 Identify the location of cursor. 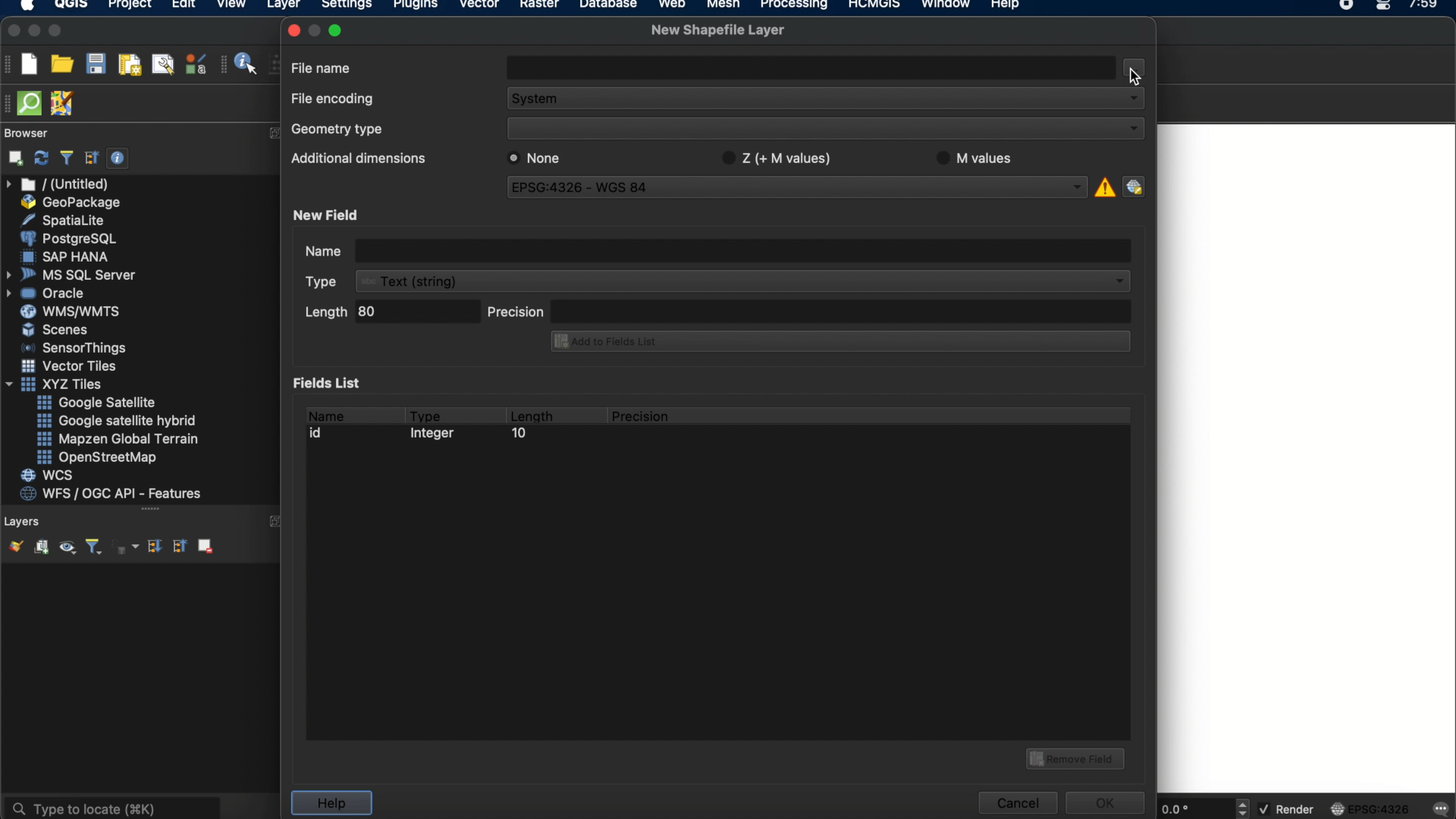
(1137, 74).